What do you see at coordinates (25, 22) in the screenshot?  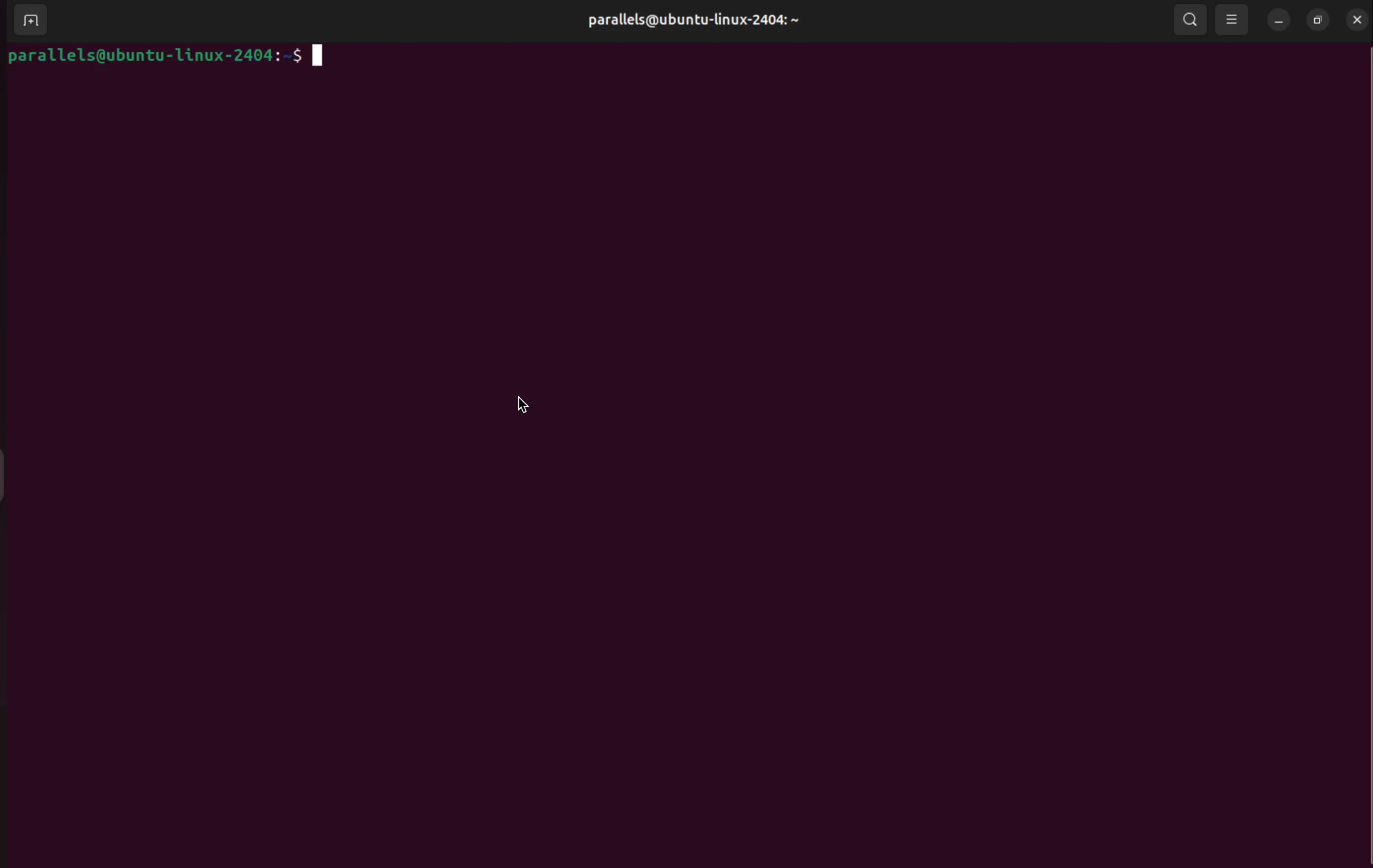 I see `ADD TERMINAL` at bounding box center [25, 22].